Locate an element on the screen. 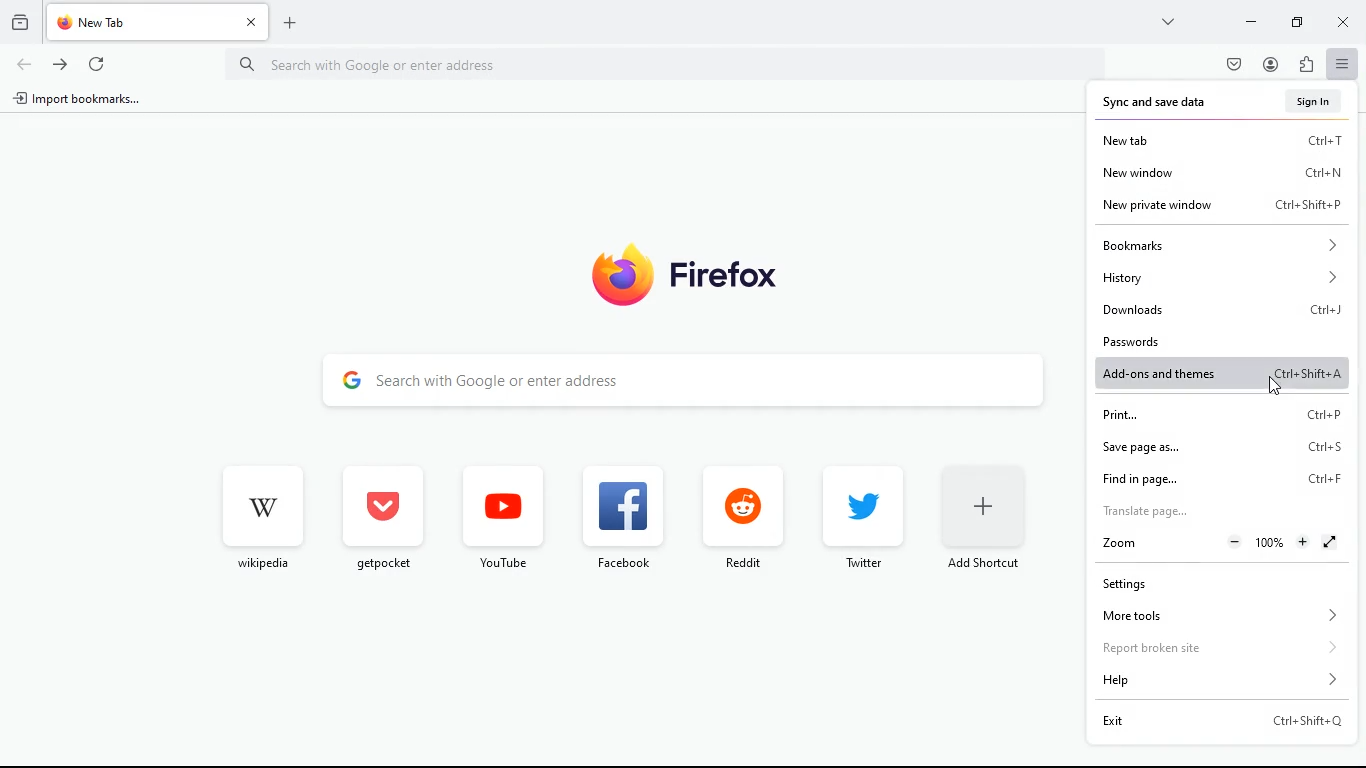 This screenshot has width=1366, height=768. profile is located at coordinates (1271, 68).